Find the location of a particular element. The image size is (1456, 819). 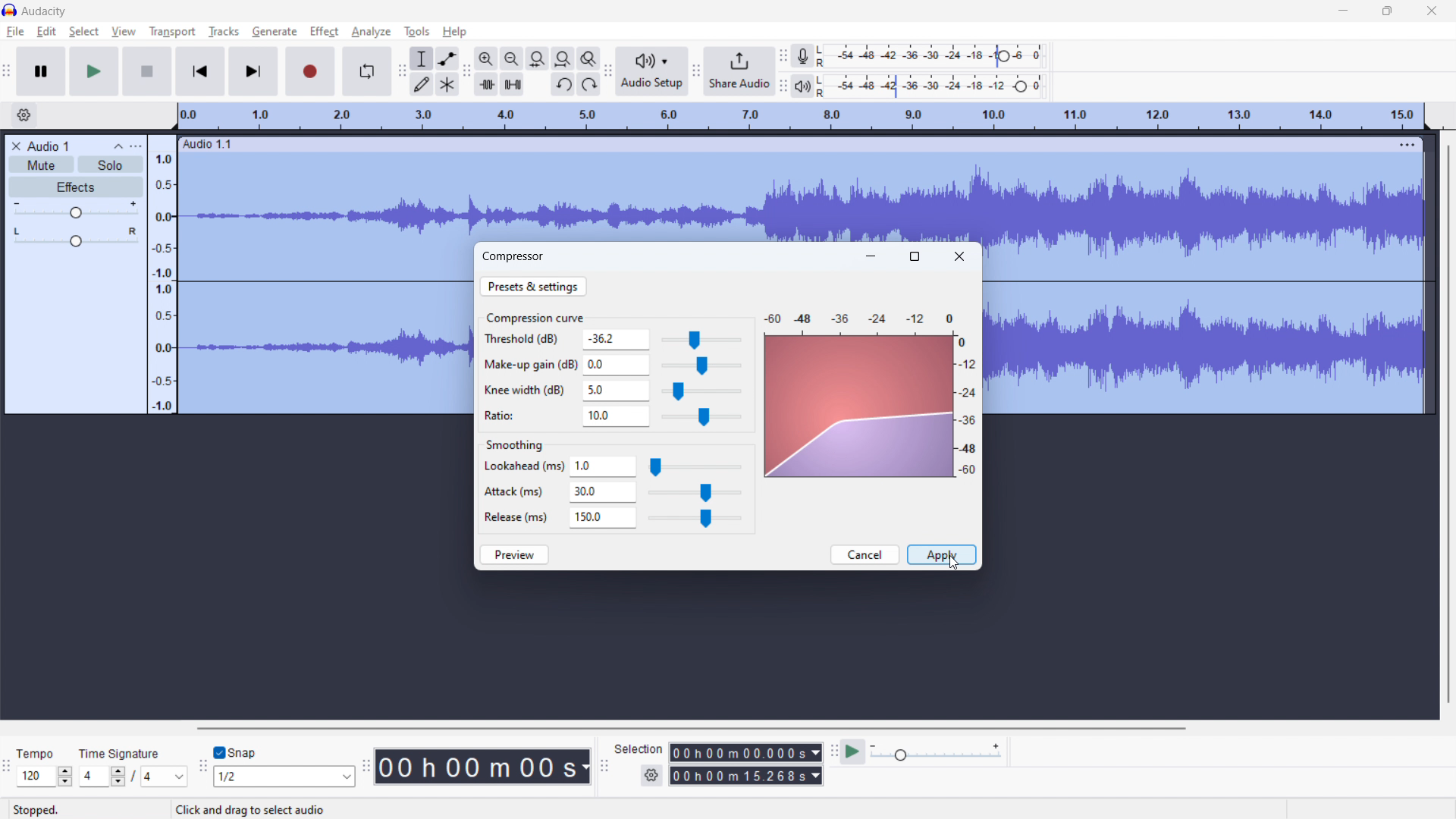

 Knee width (dB) is located at coordinates (526, 391).